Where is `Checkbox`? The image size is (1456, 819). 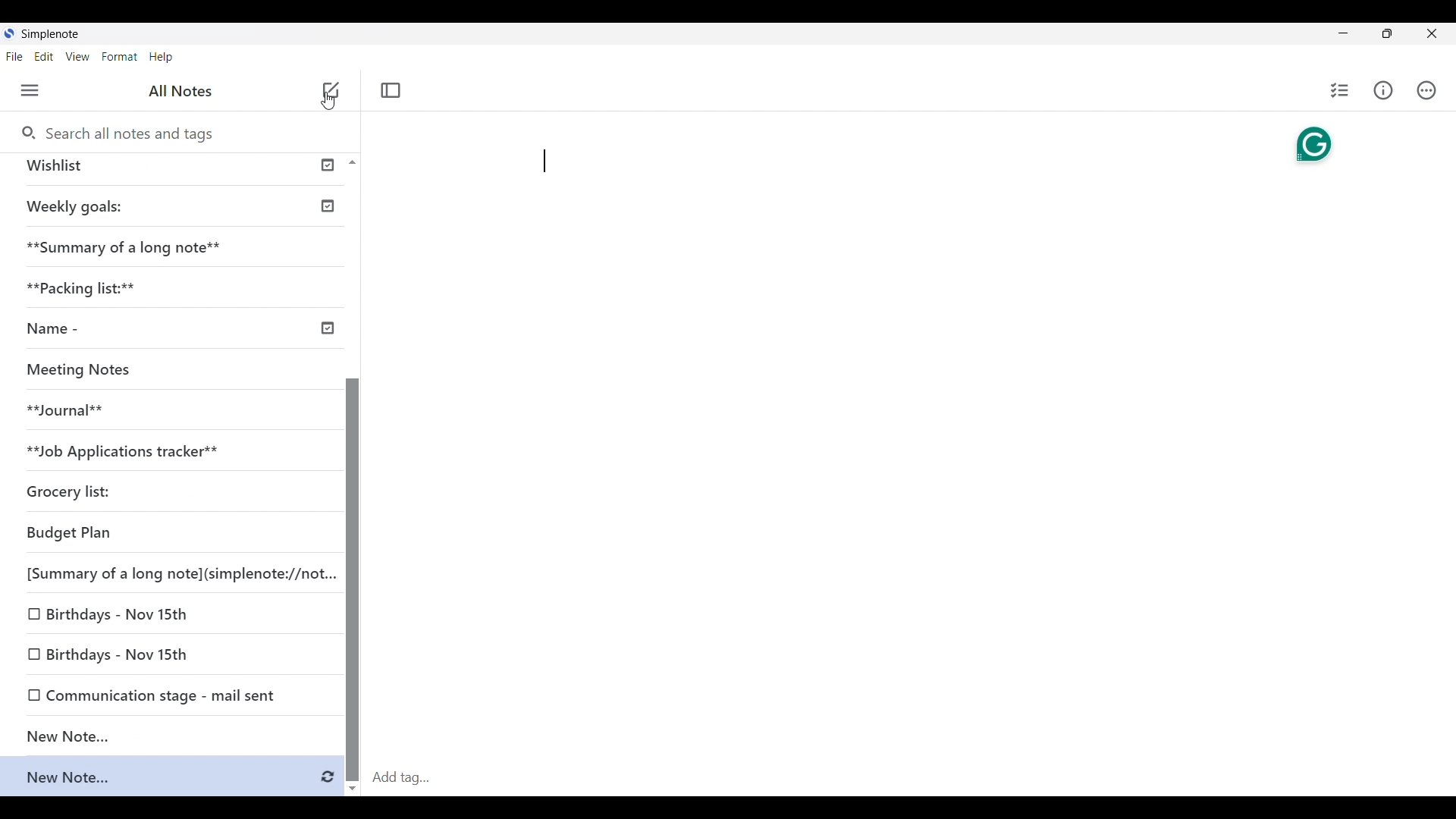 Checkbox is located at coordinates (30, 697).